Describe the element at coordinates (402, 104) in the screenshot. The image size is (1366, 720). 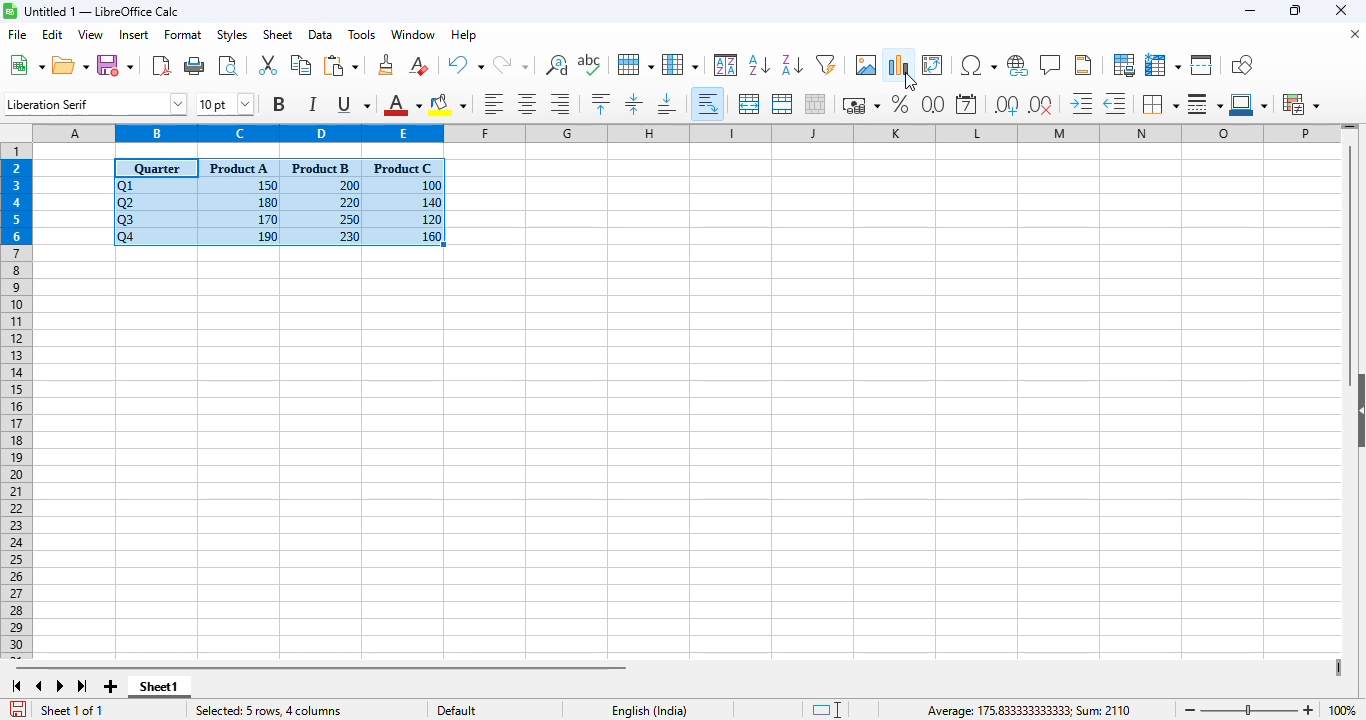
I see `font color` at that location.